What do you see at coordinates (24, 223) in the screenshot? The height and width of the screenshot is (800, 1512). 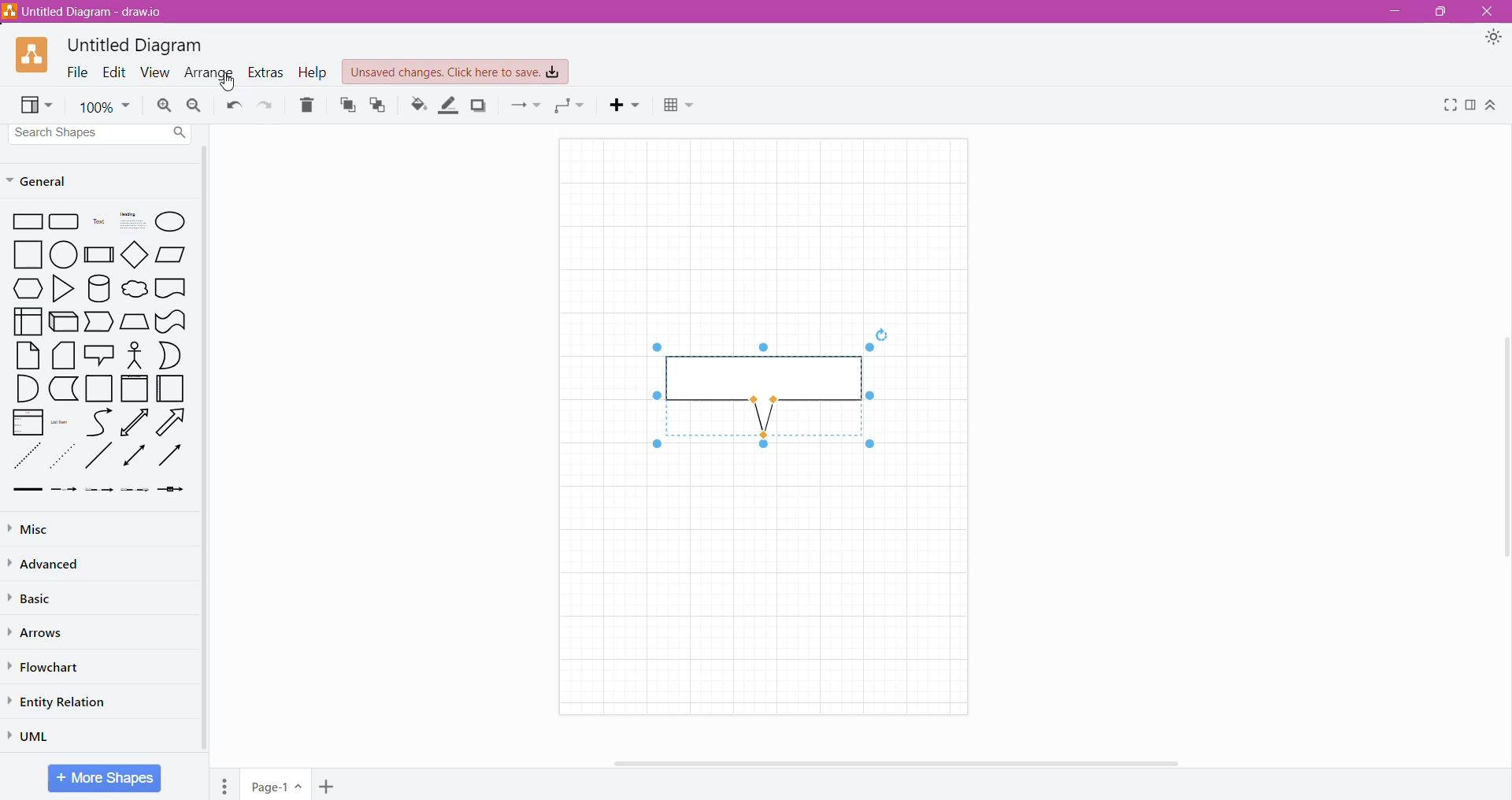 I see `rectangle` at bounding box center [24, 223].